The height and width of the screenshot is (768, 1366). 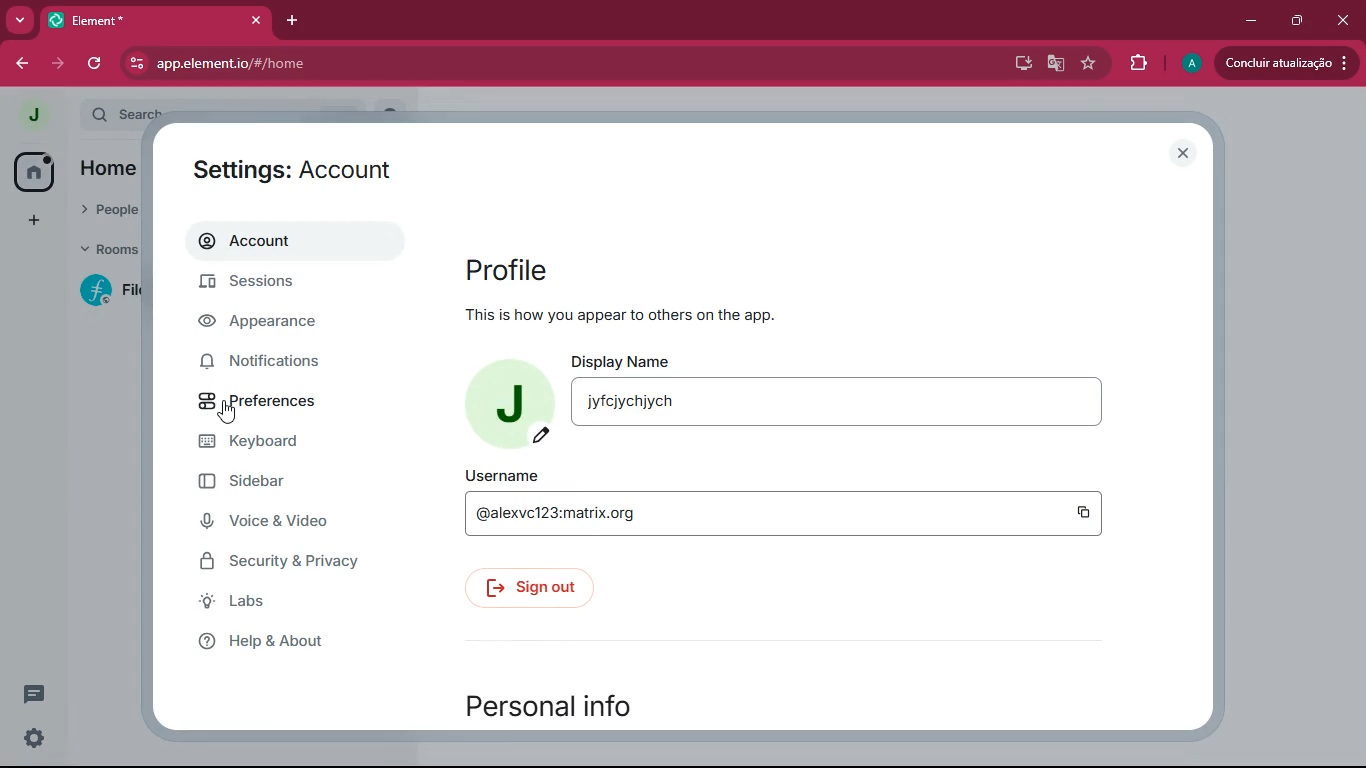 What do you see at coordinates (283, 285) in the screenshot?
I see `sessions` at bounding box center [283, 285].